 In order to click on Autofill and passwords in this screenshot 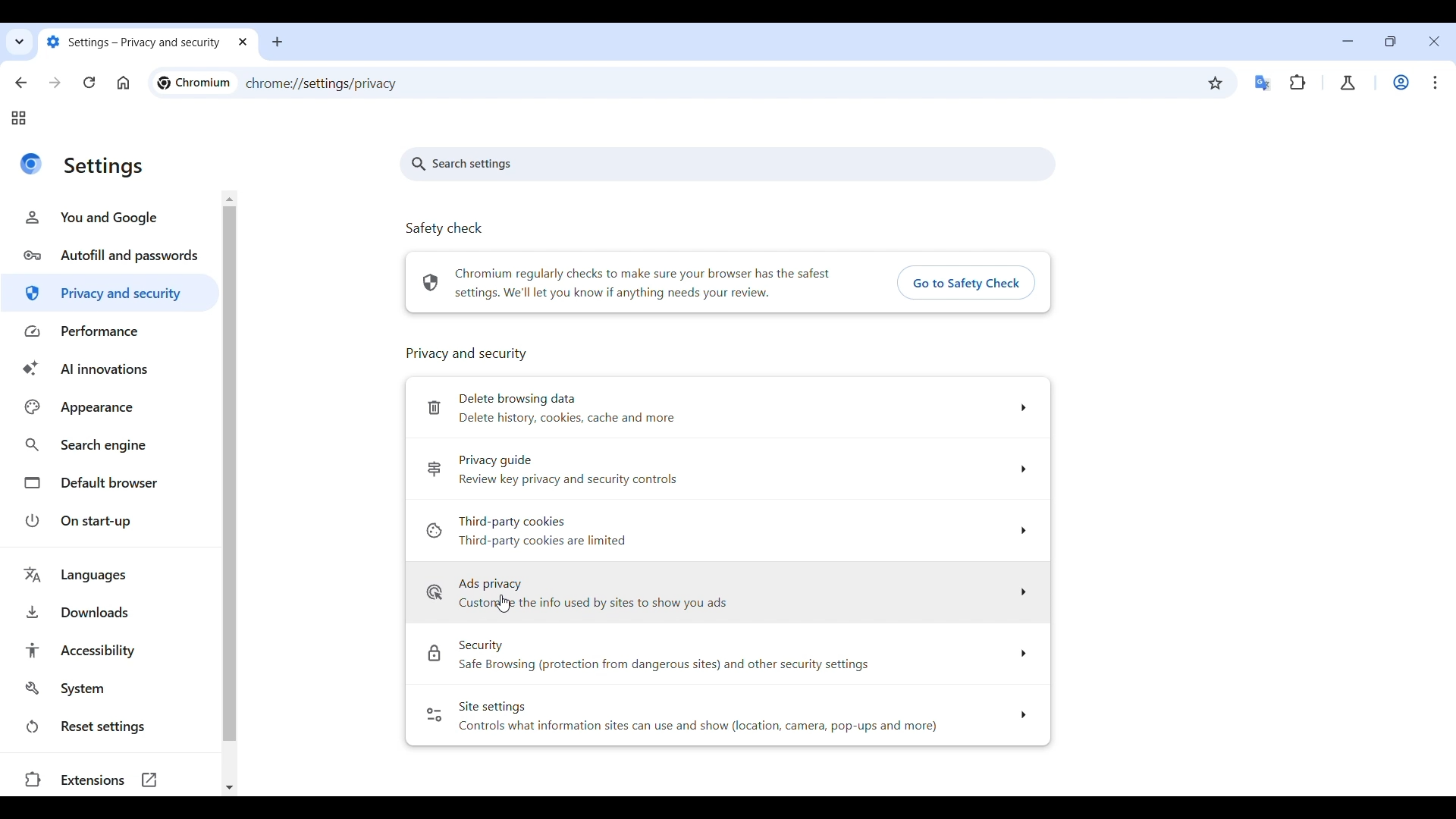, I will do `click(111, 255)`.